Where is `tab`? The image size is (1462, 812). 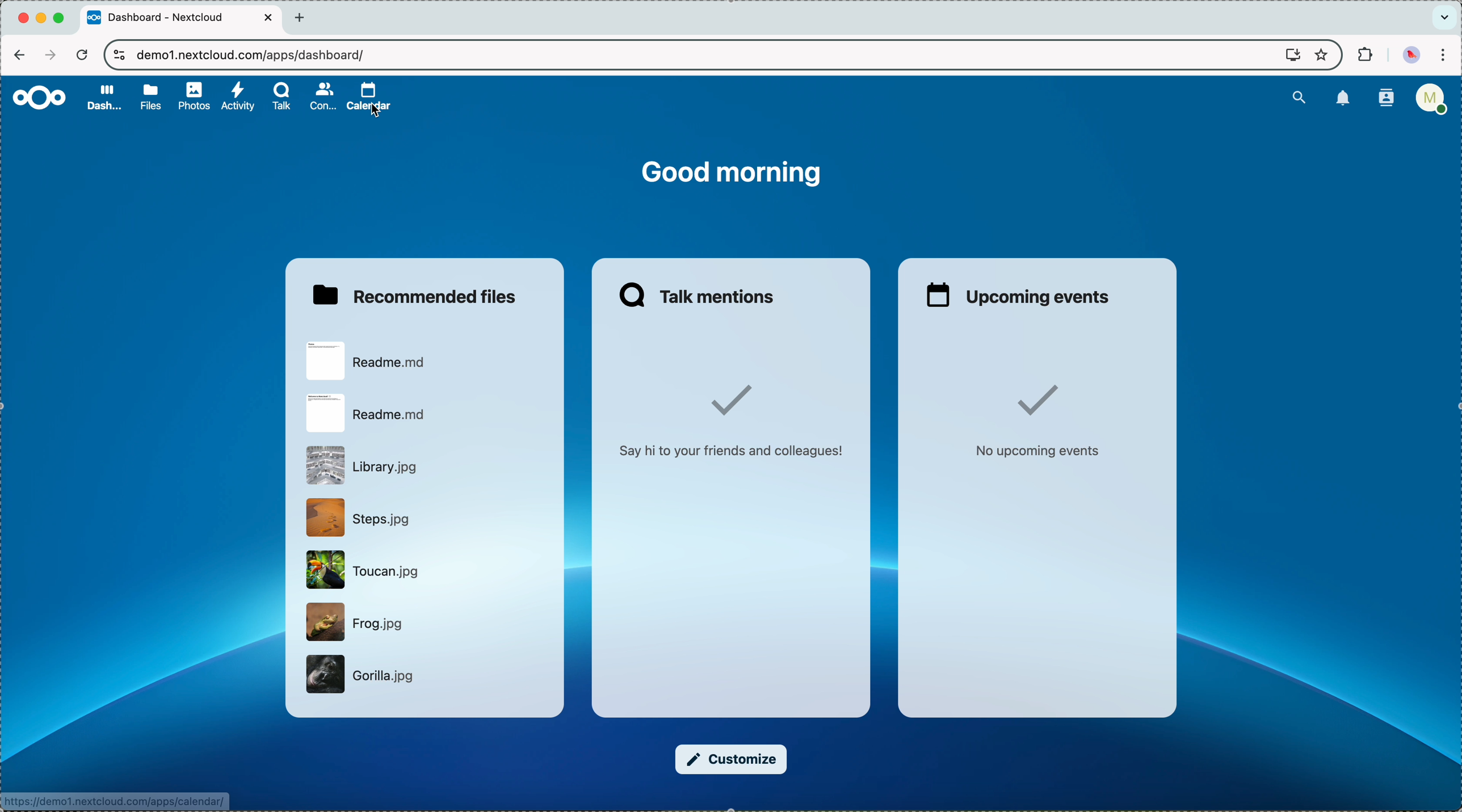
tab is located at coordinates (182, 19).